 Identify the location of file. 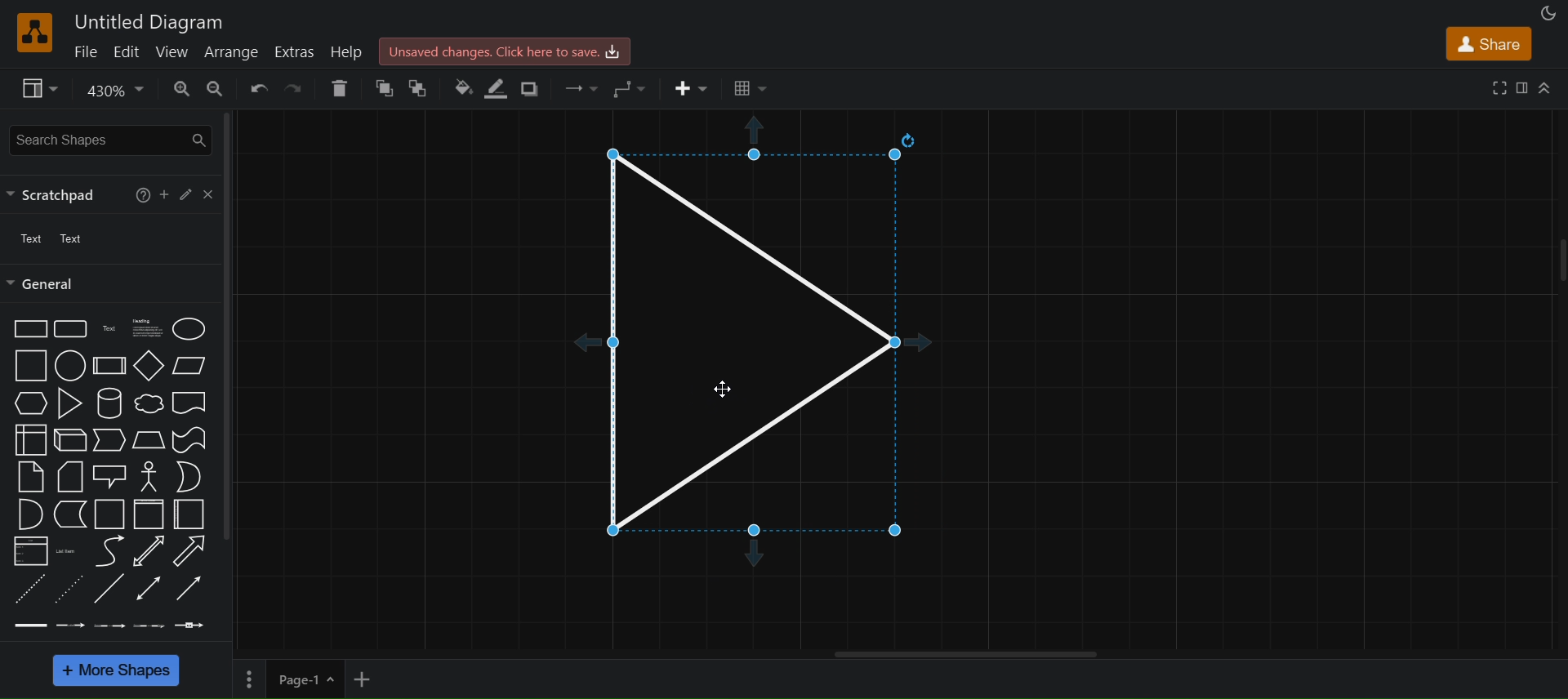
(87, 51).